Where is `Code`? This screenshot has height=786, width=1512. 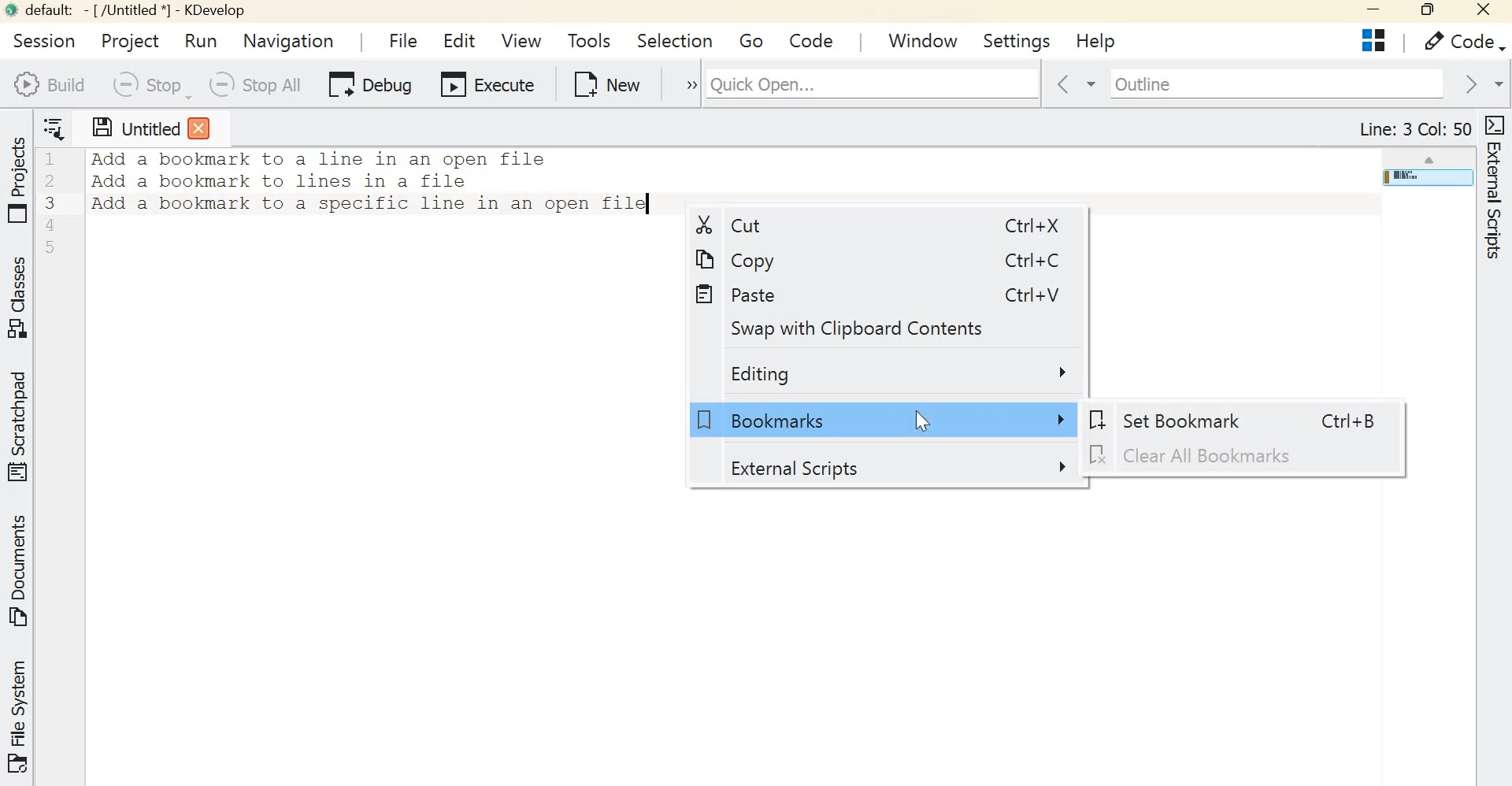
Code is located at coordinates (1463, 42).